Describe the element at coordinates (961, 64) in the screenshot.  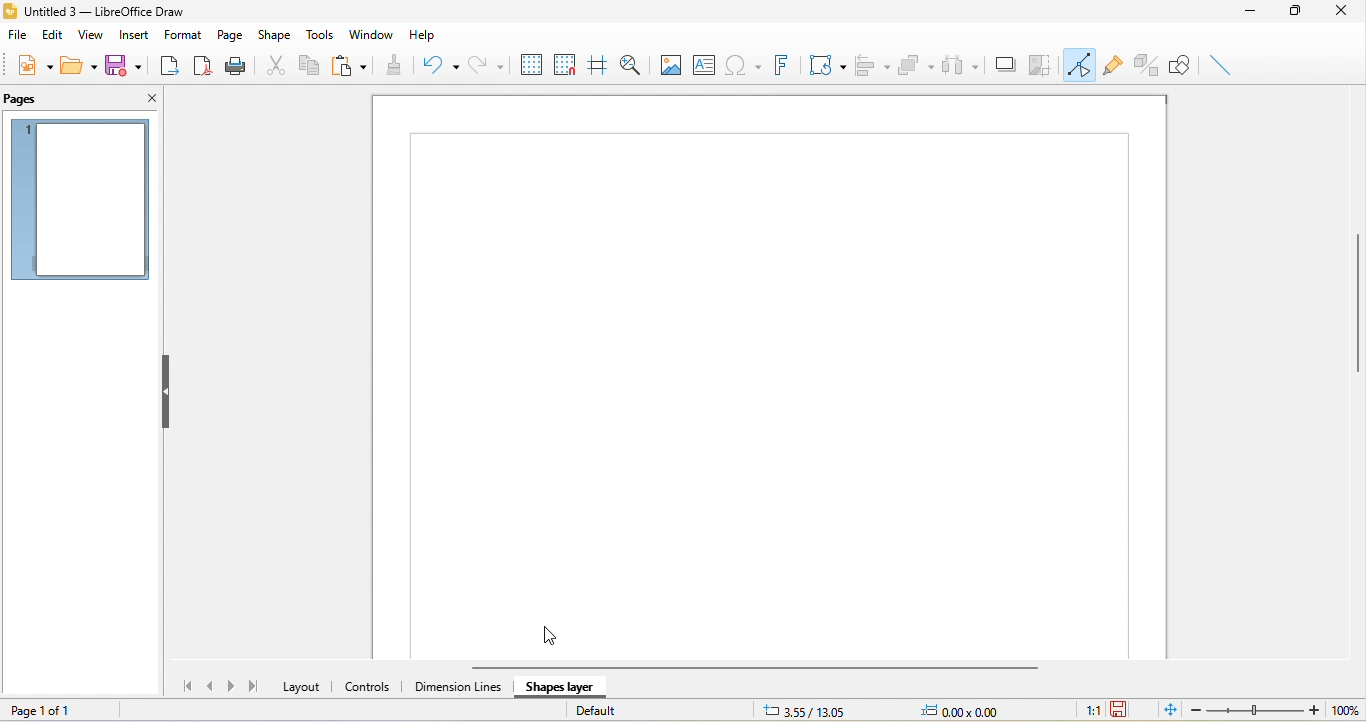
I see `select at least three object to distribute` at that location.